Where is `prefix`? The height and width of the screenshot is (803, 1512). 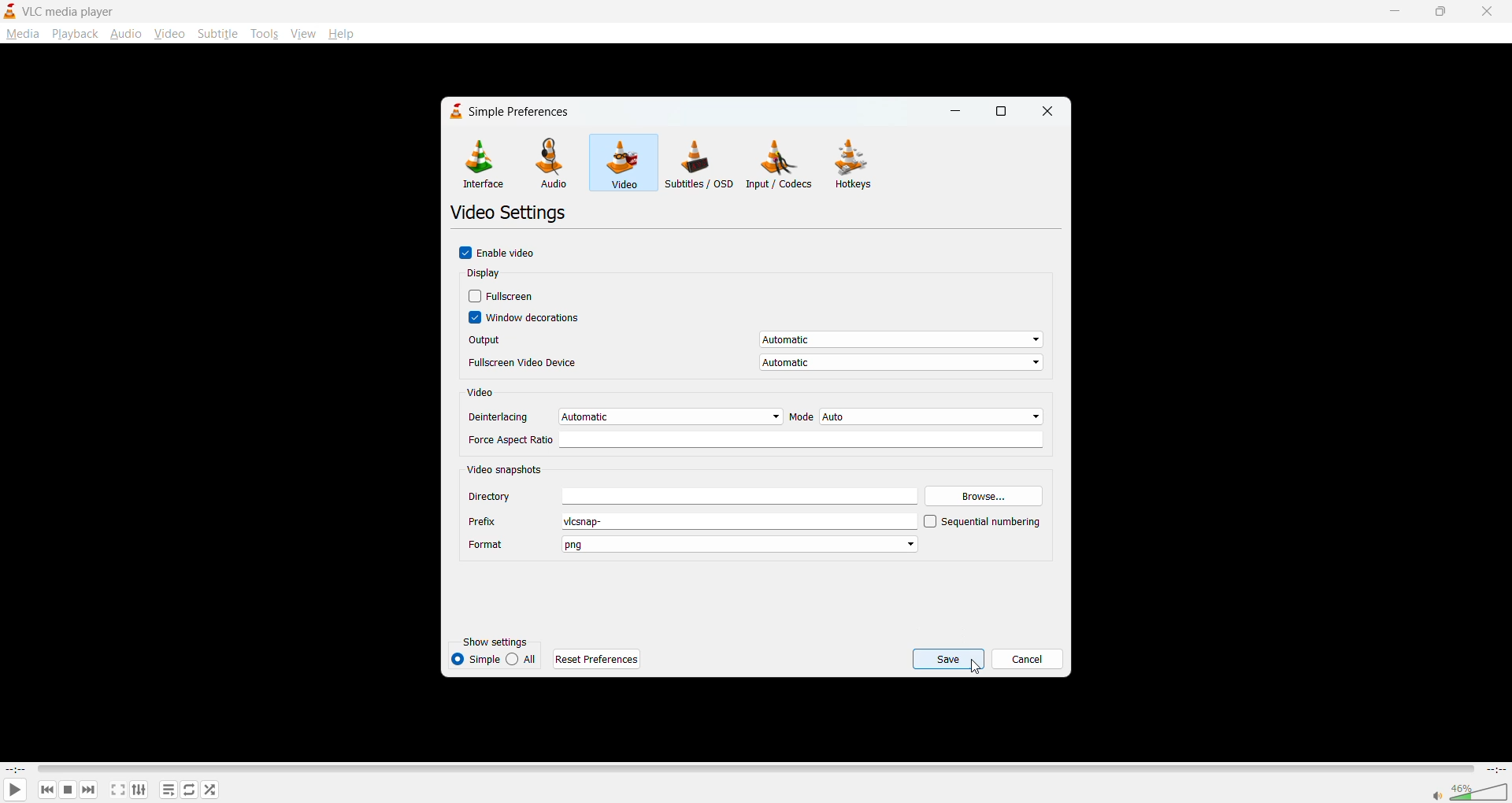
prefix is located at coordinates (691, 522).